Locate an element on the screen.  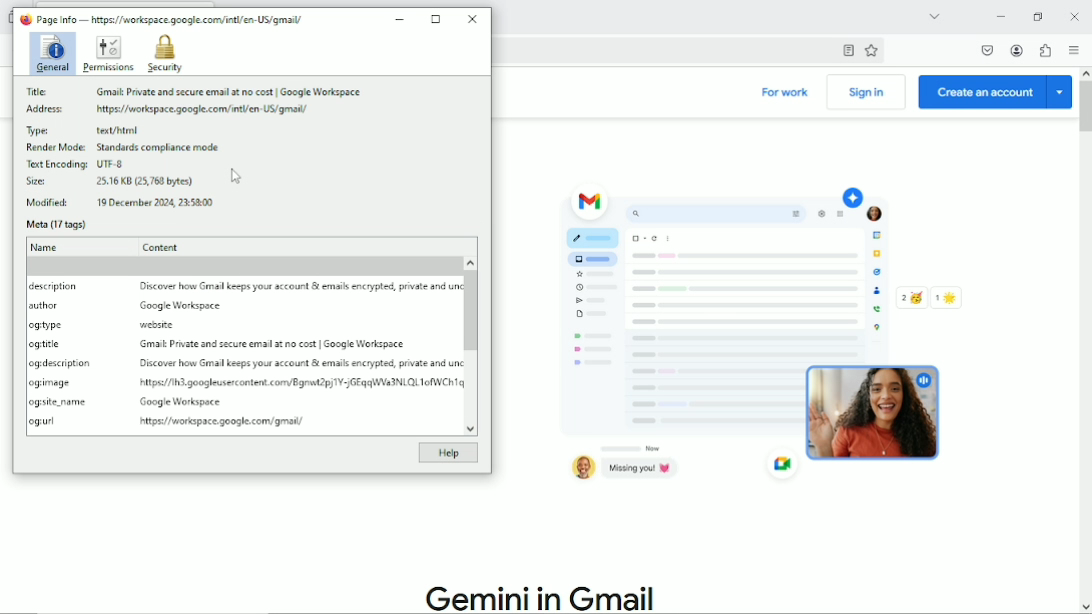
Gemini in Gmail is located at coordinates (550, 594).